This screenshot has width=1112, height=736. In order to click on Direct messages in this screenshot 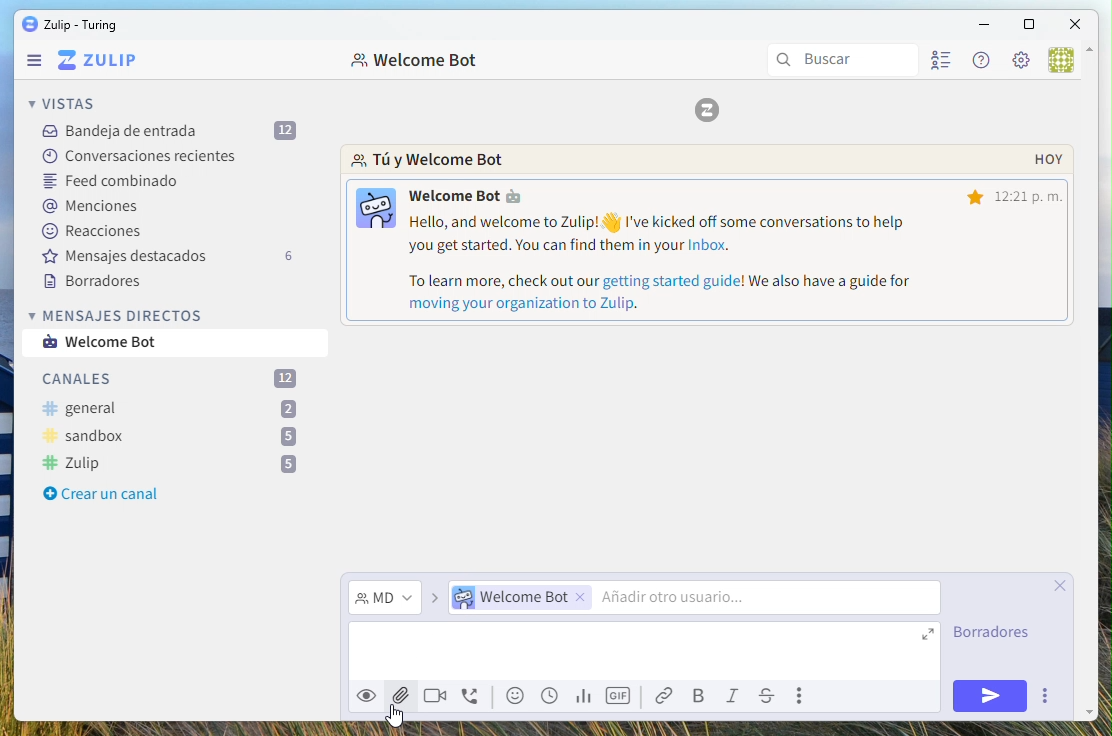, I will do `click(119, 315)`.